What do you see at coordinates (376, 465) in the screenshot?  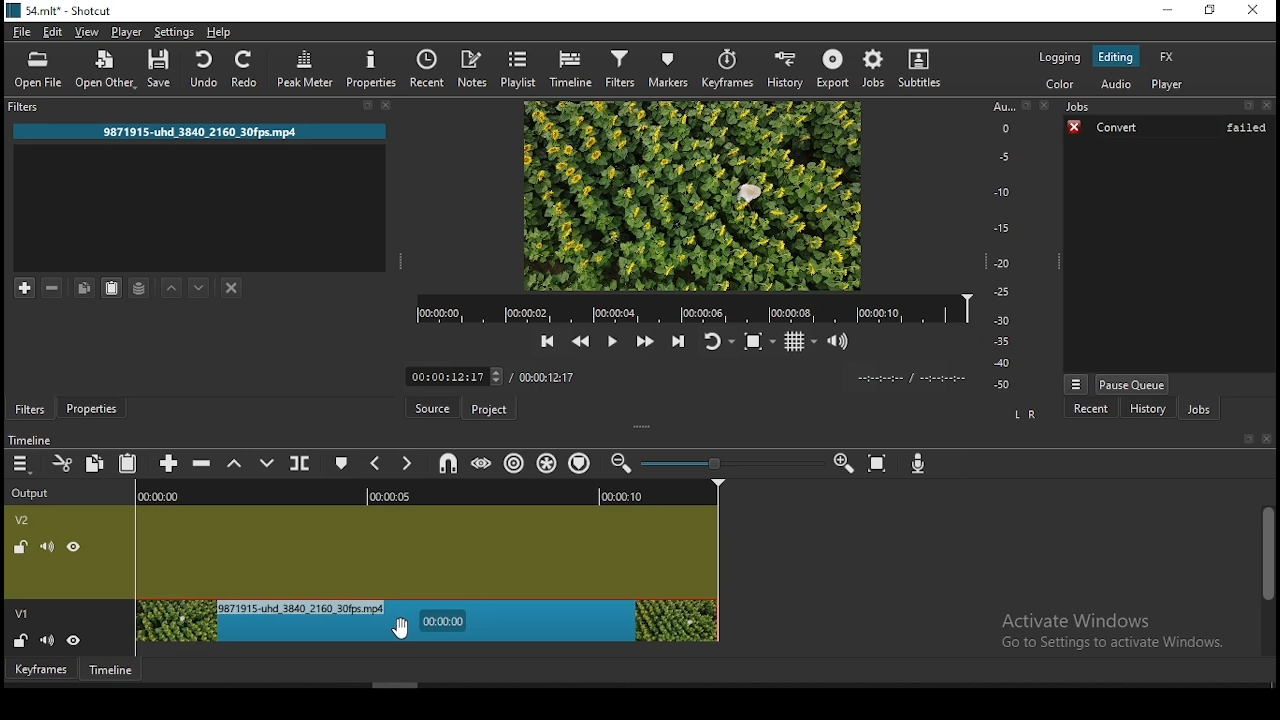 I see `previous marker` at bounding box center [376, 465].